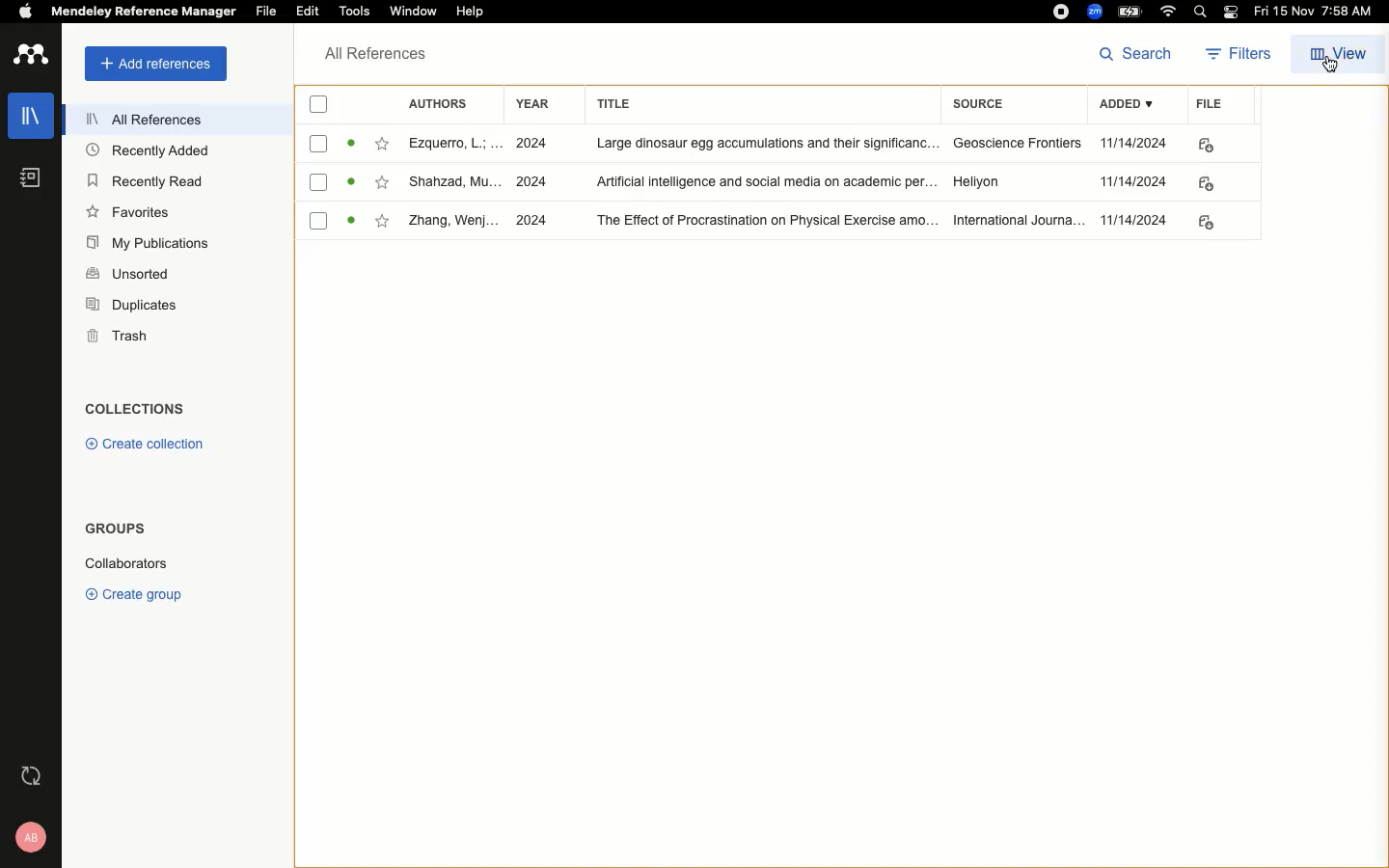  What do you see at coordinates (758, 105) in the screenshot?
I see `Title` at bounding box center [758, 105].